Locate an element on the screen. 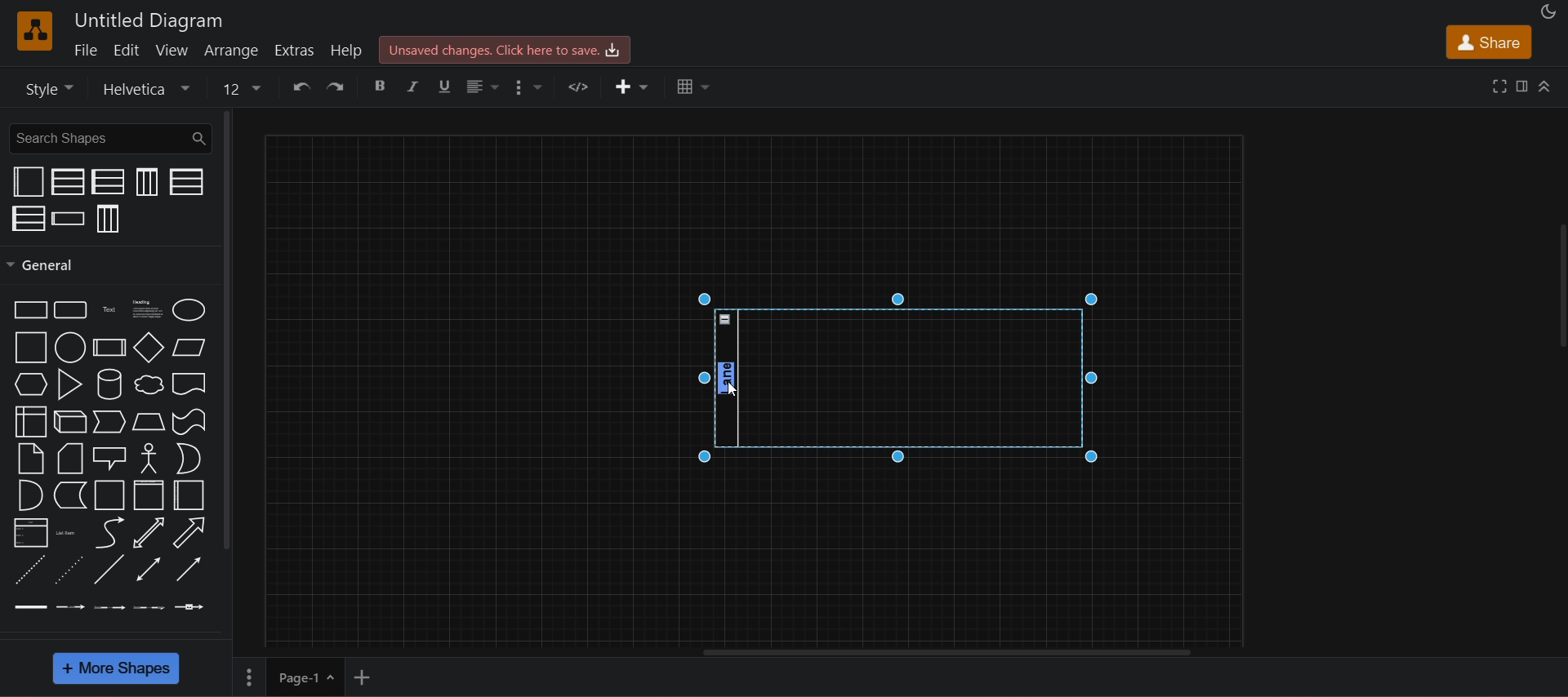 The width and height of the screenshot is (1568, 697). parallelogram is located at coordinates (189, 347).